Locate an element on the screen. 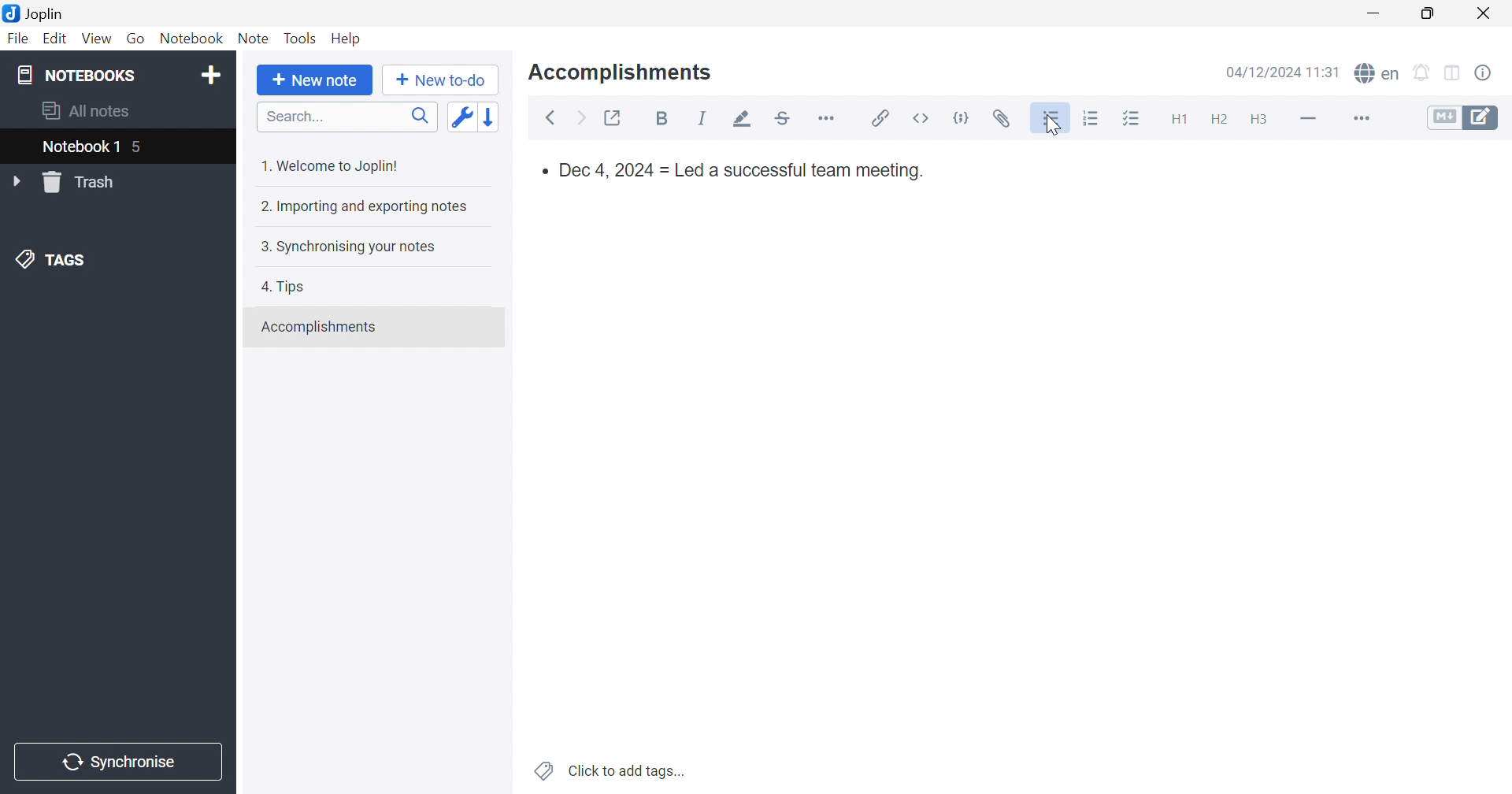 This screenshot has width=1512, height=794. Edit is located at coordinates (57, 40).